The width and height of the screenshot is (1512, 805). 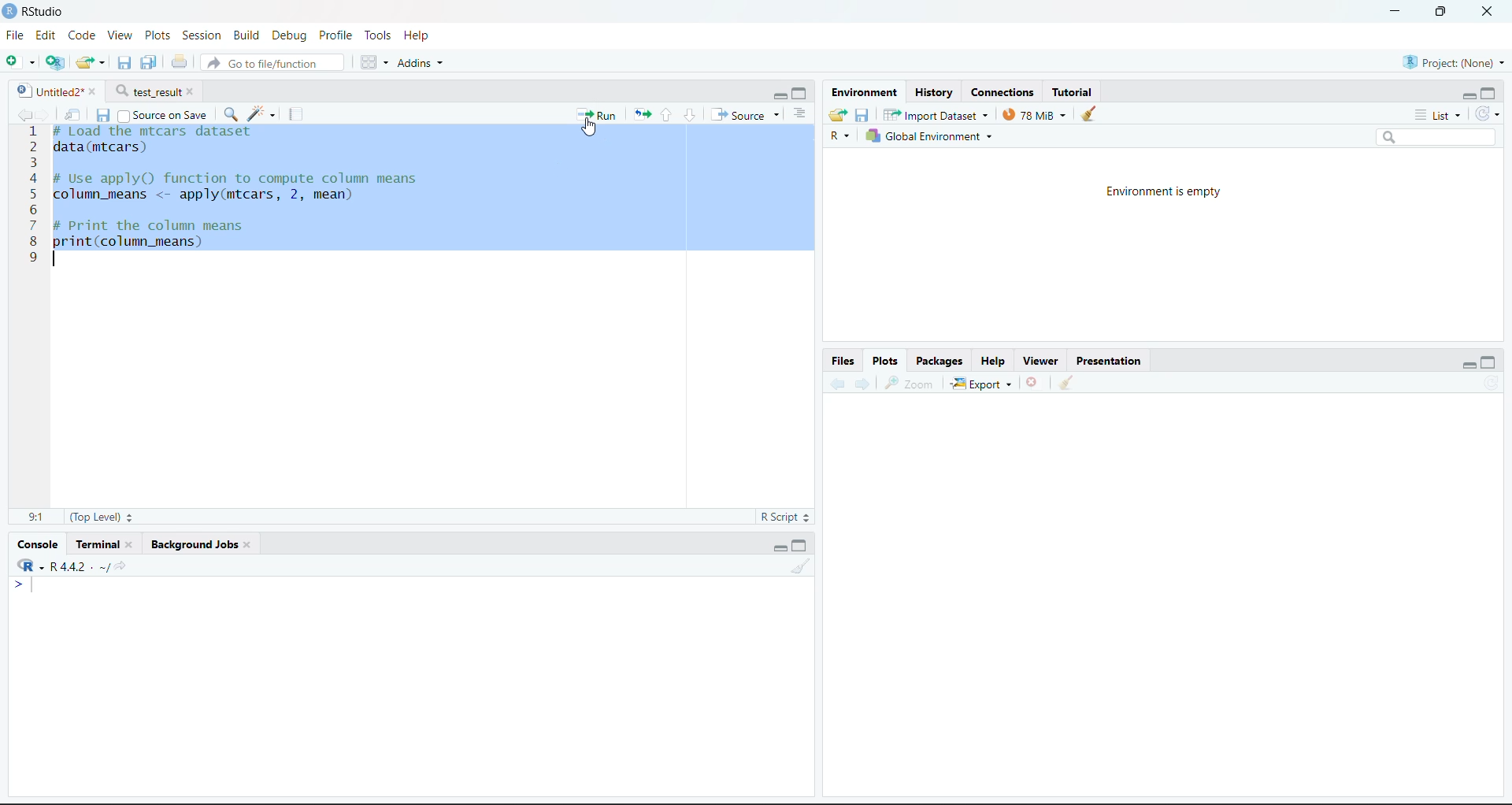 What do you see at coordinates (297, 113) in the screenshot?
I see `Compile Report (Ctrl + Shift + K)` at bounding box center [297, 113].